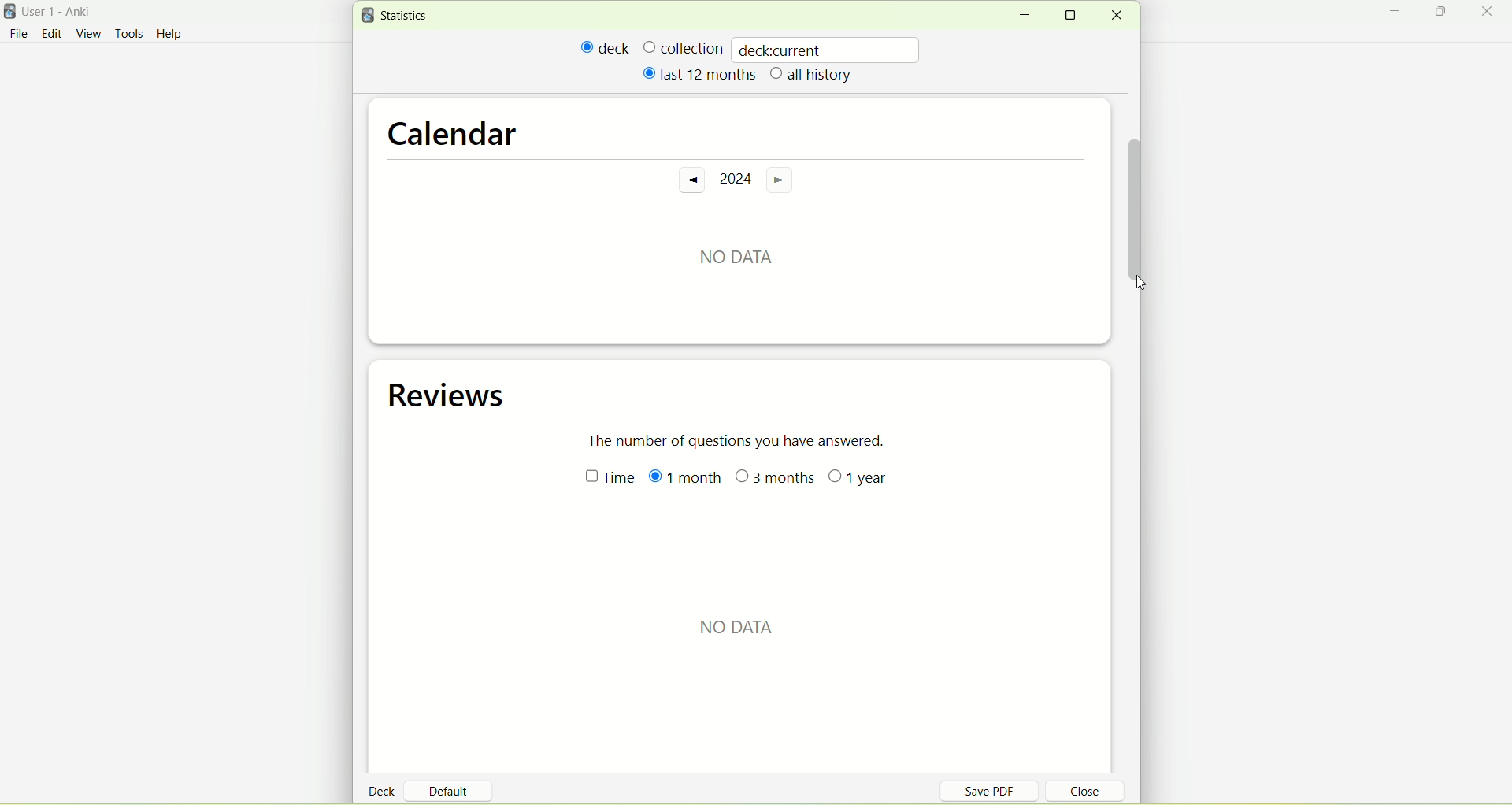  I want to click on deck, so click(606, 47).